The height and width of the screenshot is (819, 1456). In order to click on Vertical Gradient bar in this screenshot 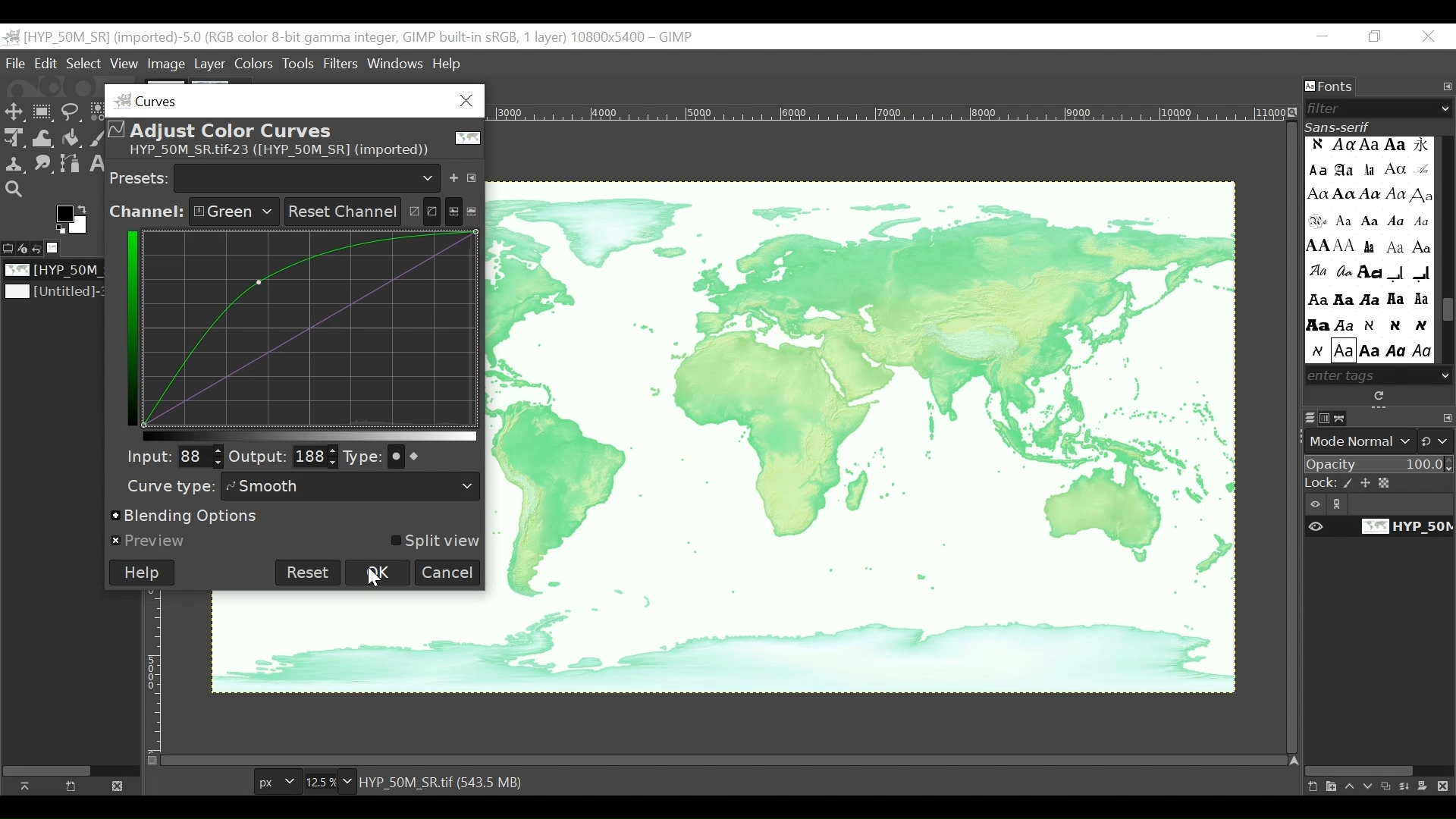, I will do `click(129, 327)`.